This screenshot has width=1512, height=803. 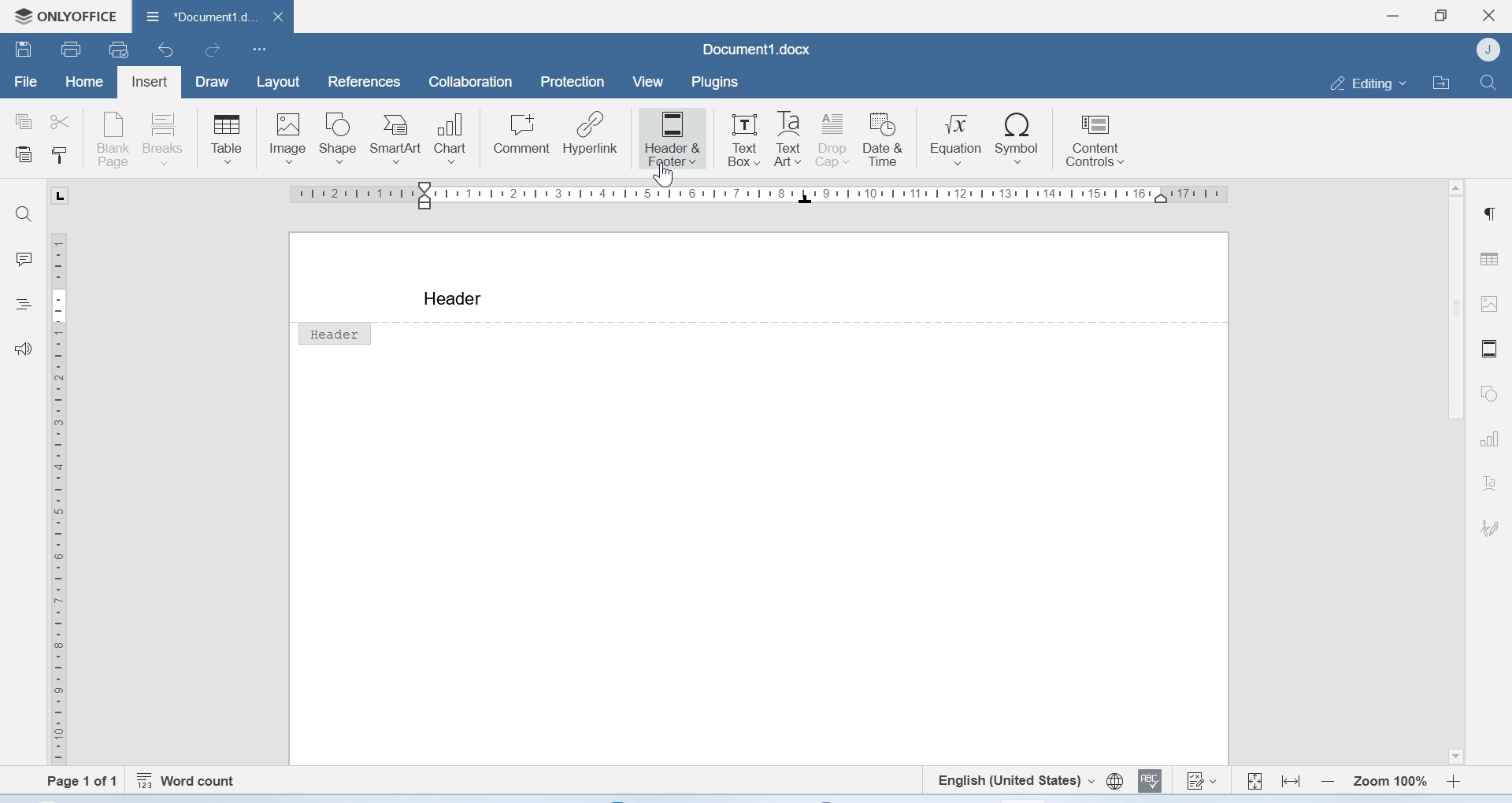 I want to click on Find, so click(x=1488, y=82).